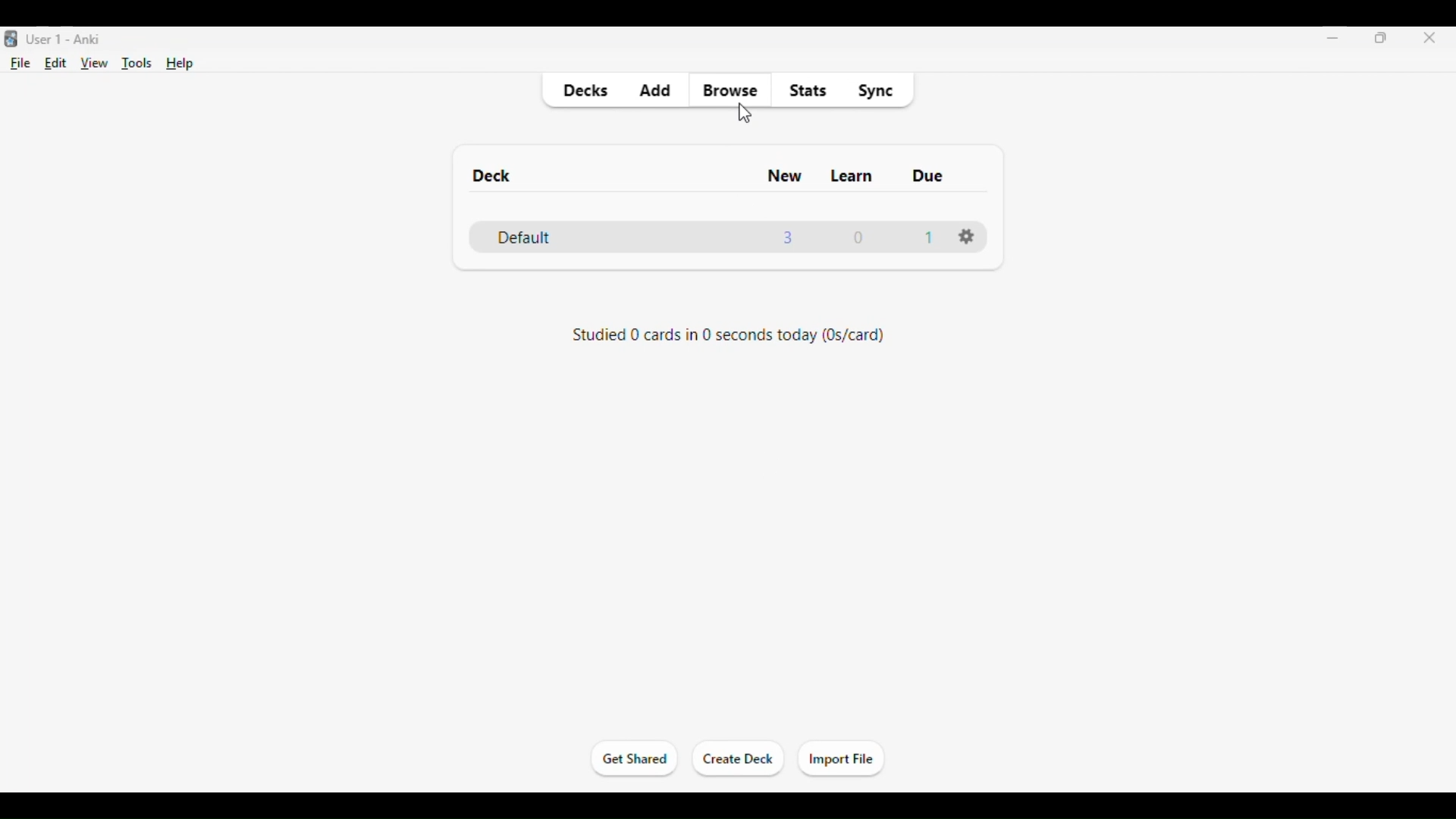 The height and width of the screenshot is (819, 1456). What do you see at coordinates (21, 64) in the screenshot?
I see `file` at bounding box center [21, 64].